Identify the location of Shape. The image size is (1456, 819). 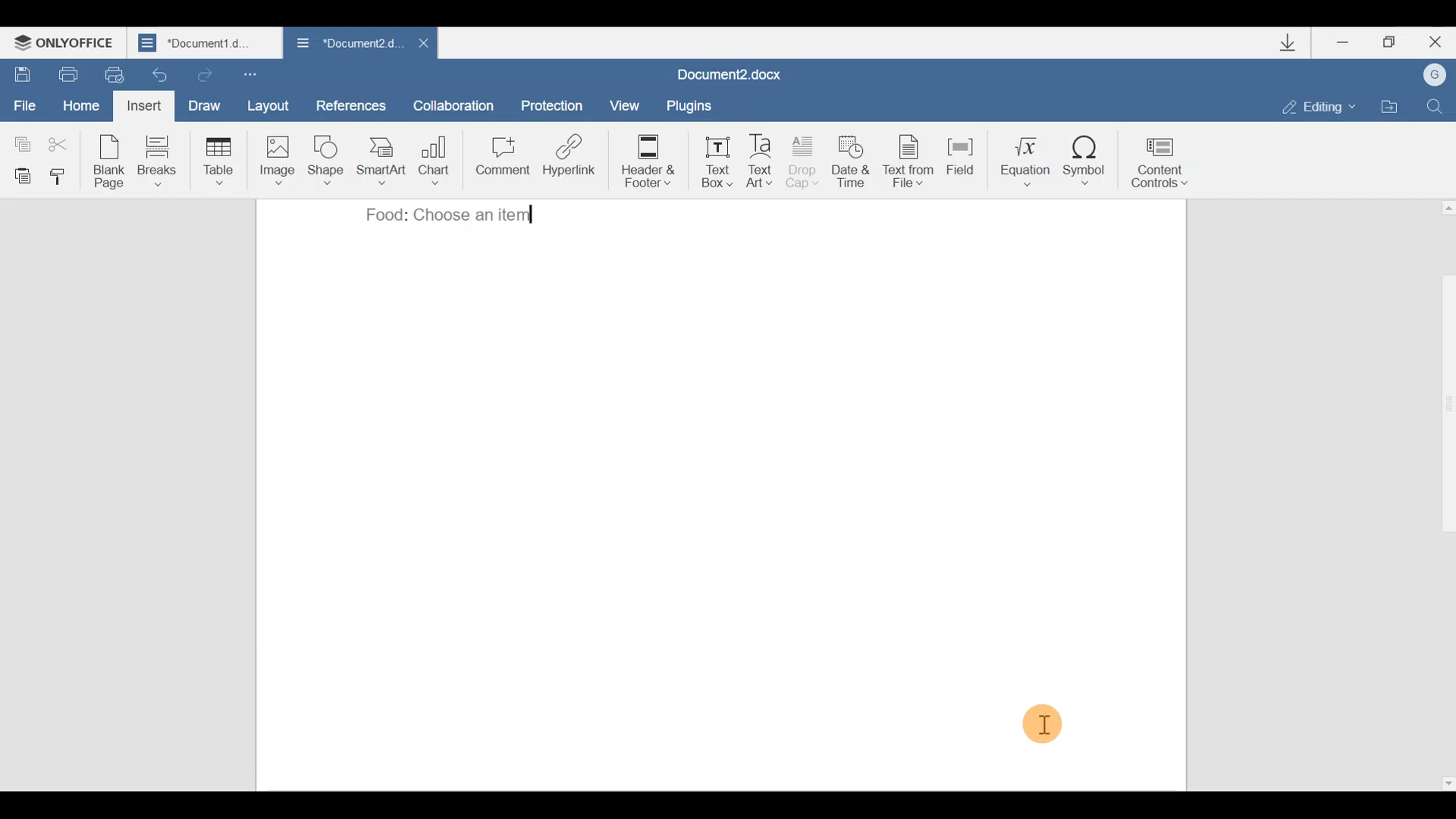
(328, 158).